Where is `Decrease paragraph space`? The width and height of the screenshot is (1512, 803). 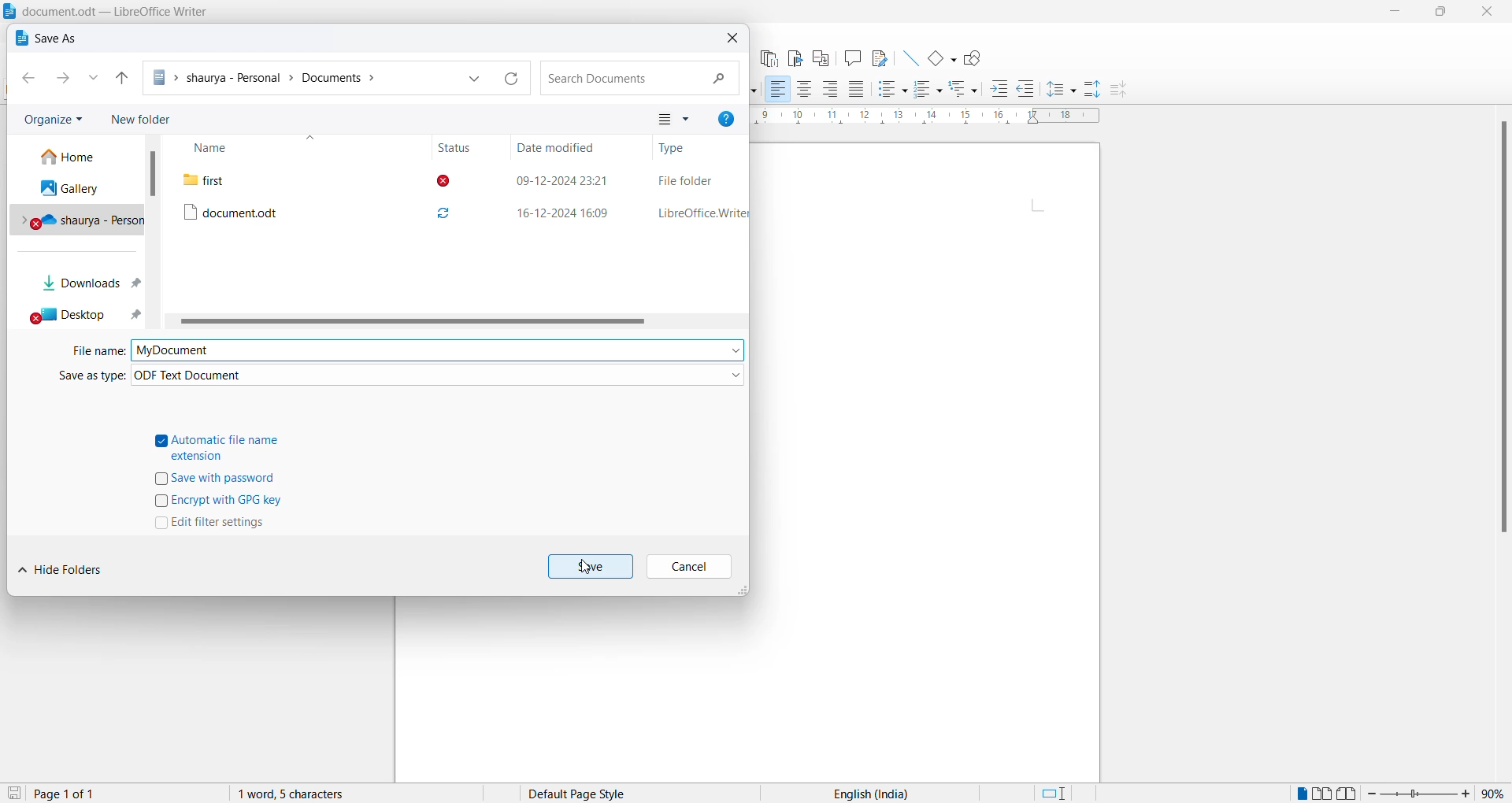 Decrease paragraph space is located at coordinates (1123, 91).